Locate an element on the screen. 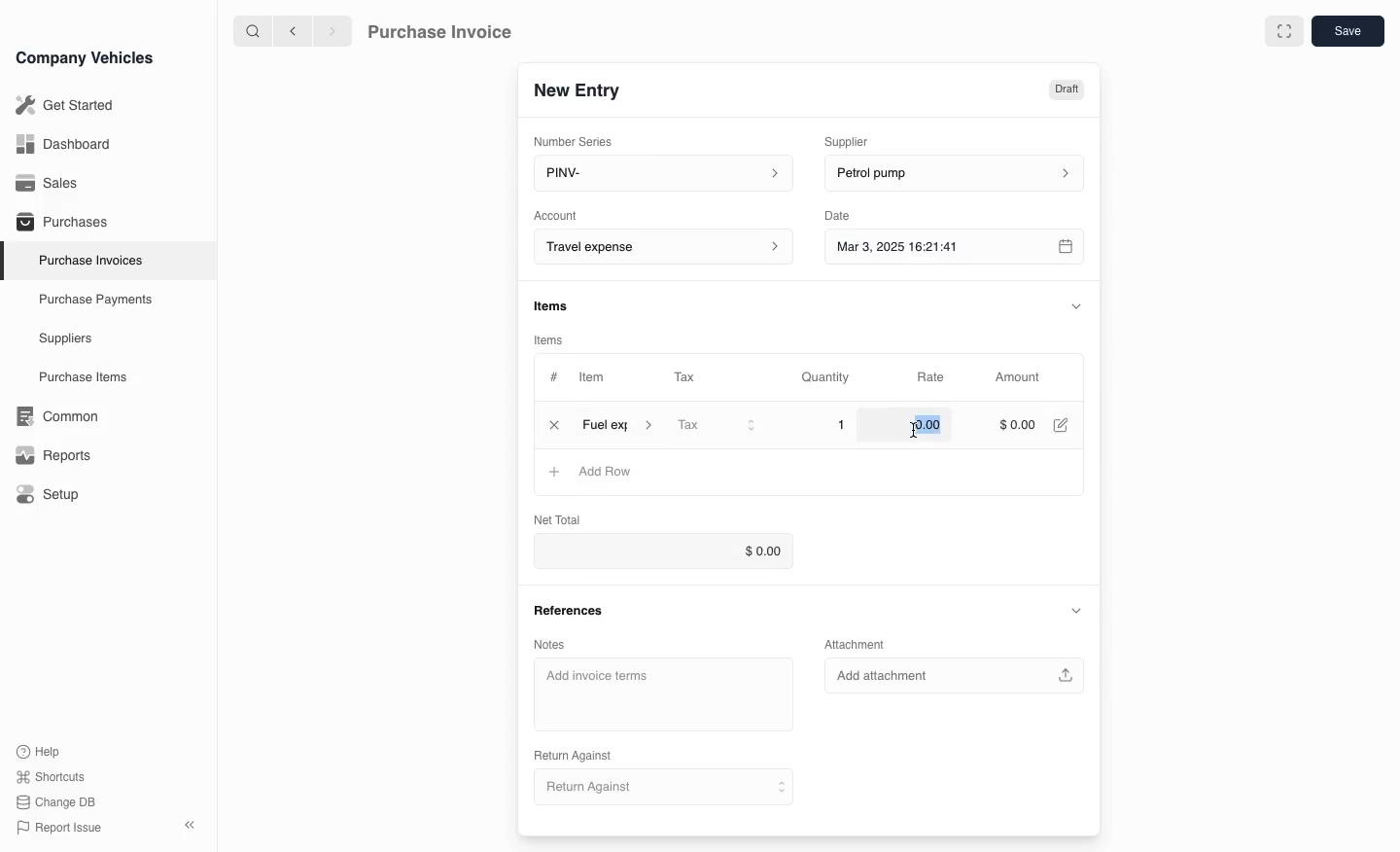 This screenshot has height=852, width=1400. previous is located at coordinates (291, 30).